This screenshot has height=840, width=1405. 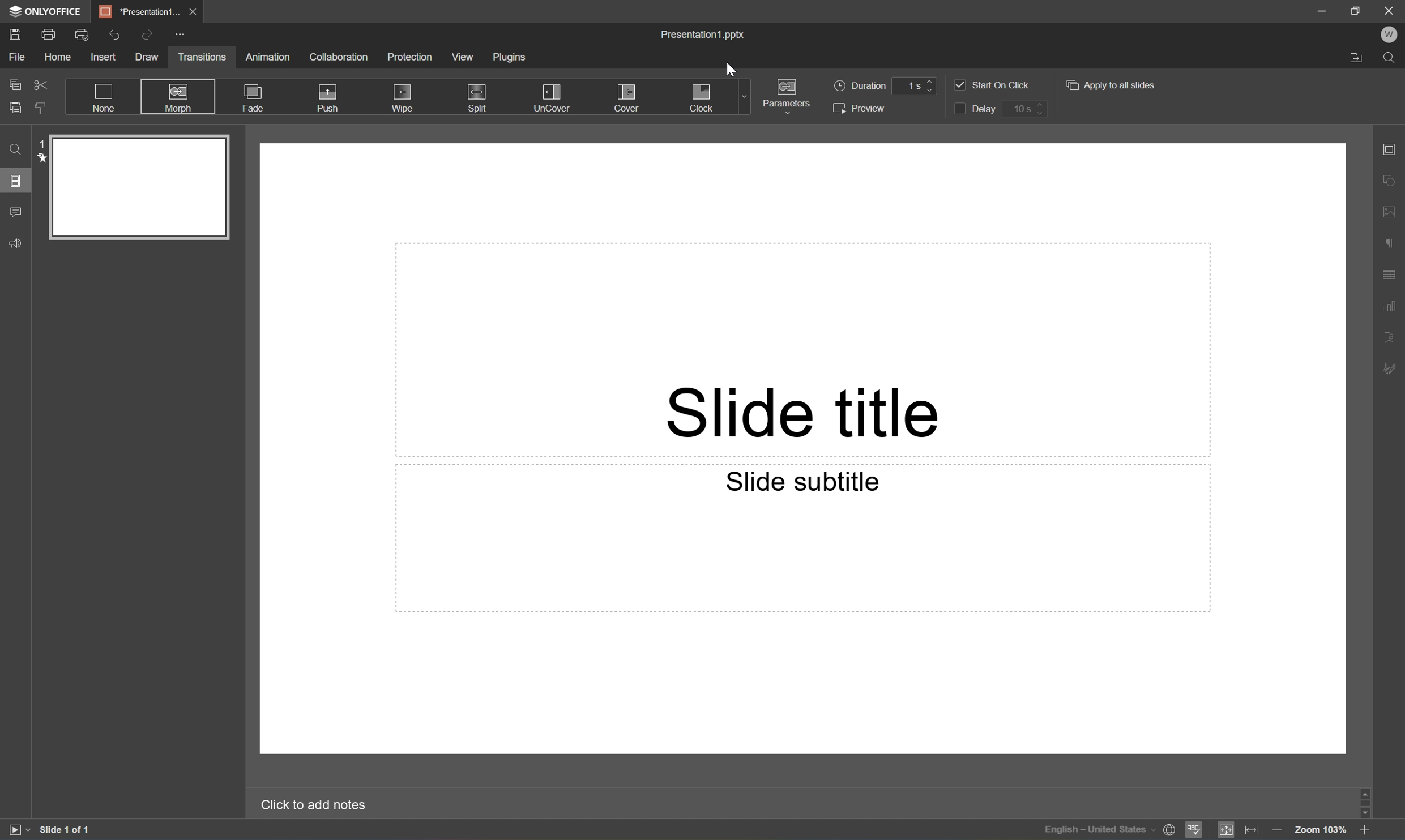 I want to click on Find, so click(x=1393, y=58).